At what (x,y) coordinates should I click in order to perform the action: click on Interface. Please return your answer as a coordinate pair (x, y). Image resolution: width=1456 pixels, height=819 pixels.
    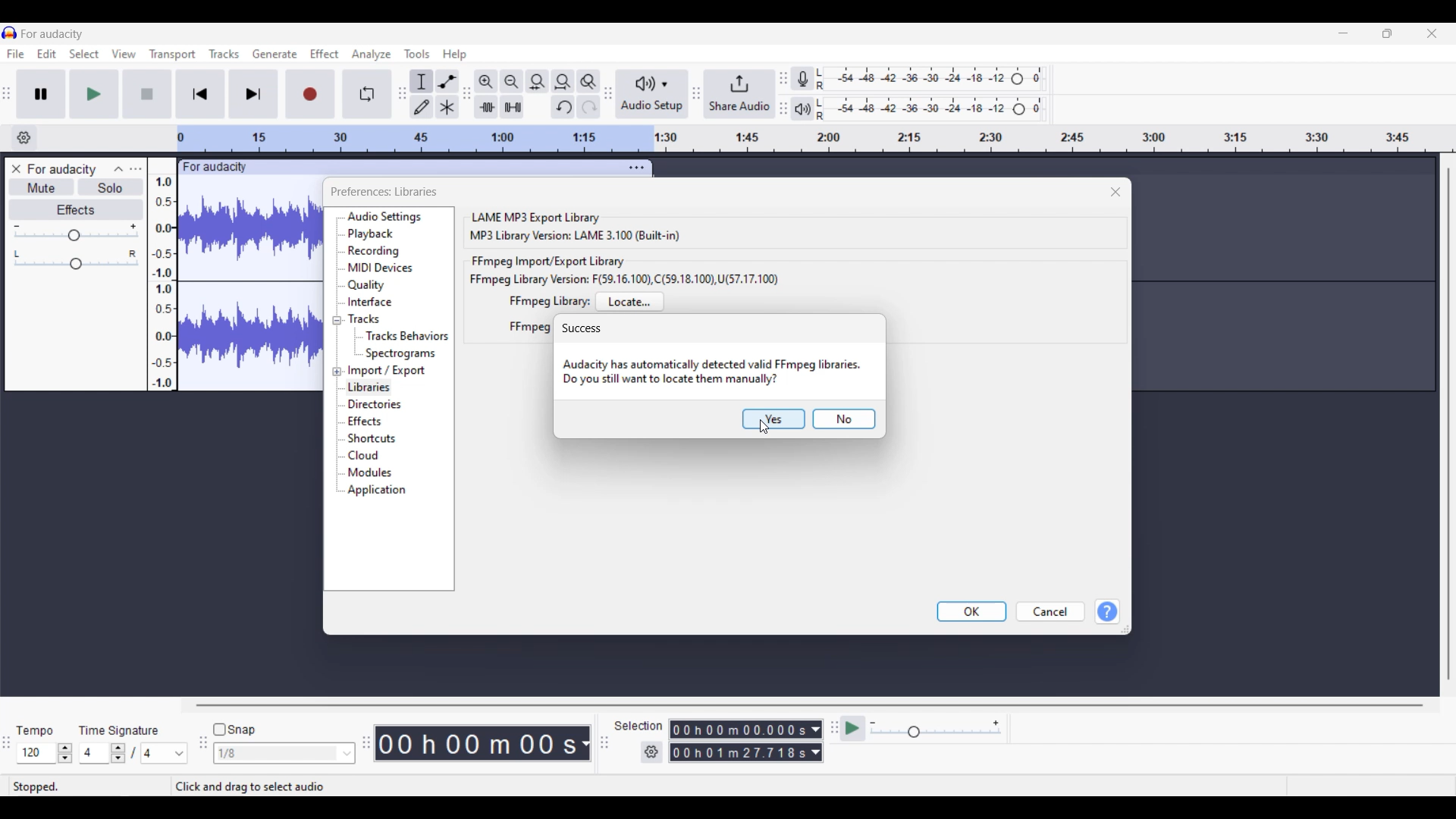
    Looking at the image, I should click on (370, 302).